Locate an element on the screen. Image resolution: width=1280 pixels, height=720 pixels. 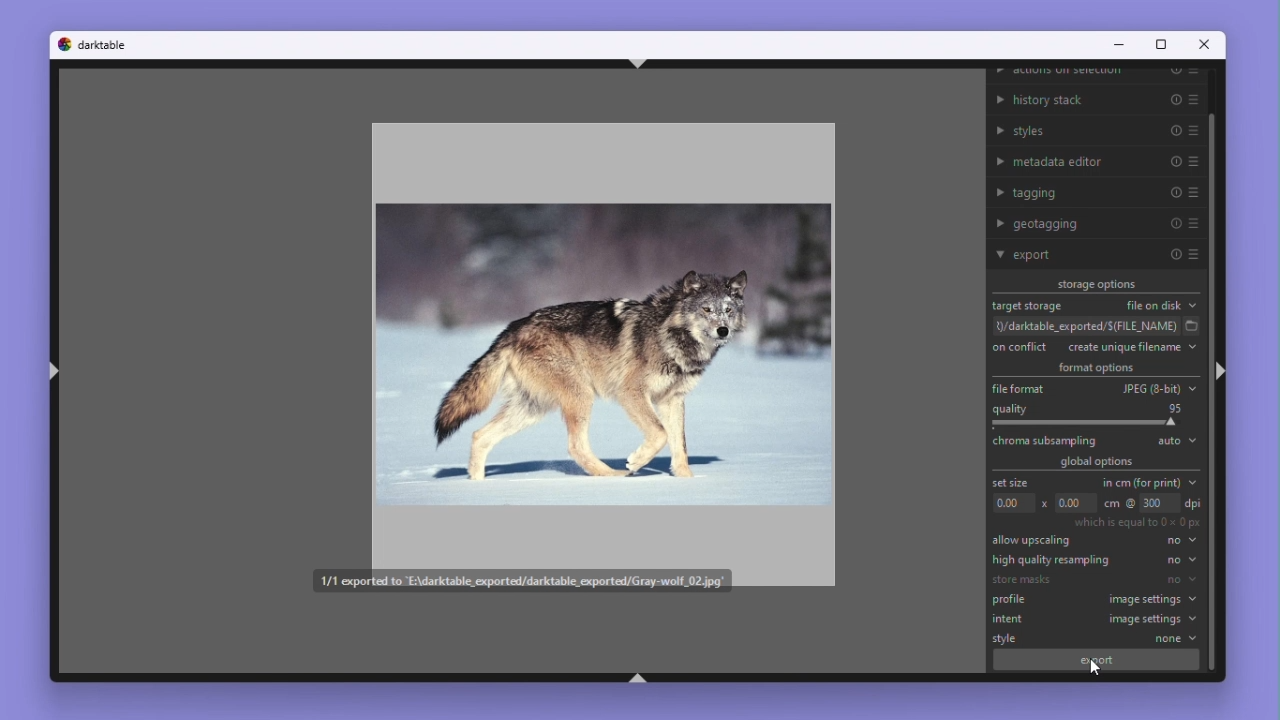
Global options is located at coordinates (1096, 462).